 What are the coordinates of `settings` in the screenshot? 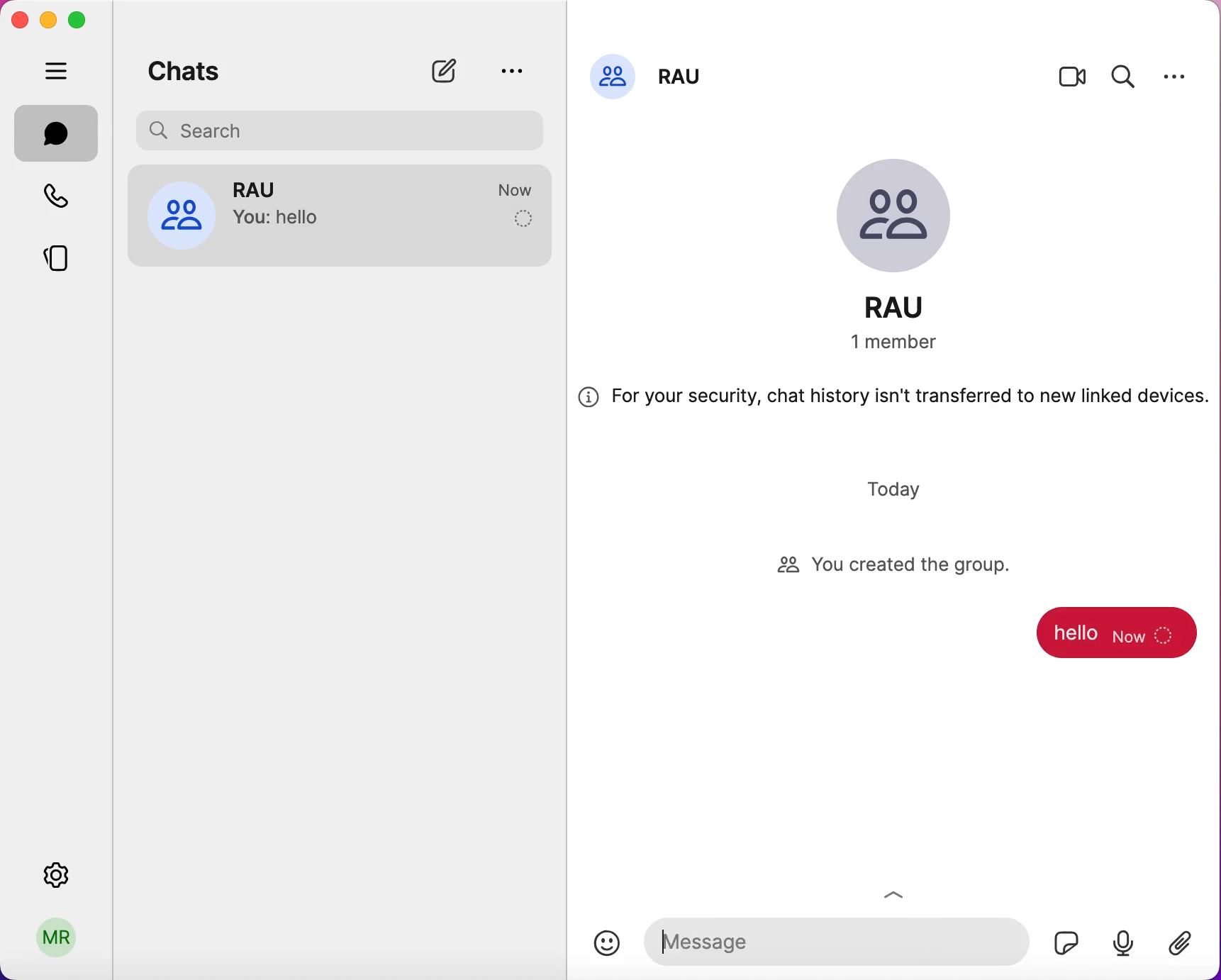 It's located at (60, 871).